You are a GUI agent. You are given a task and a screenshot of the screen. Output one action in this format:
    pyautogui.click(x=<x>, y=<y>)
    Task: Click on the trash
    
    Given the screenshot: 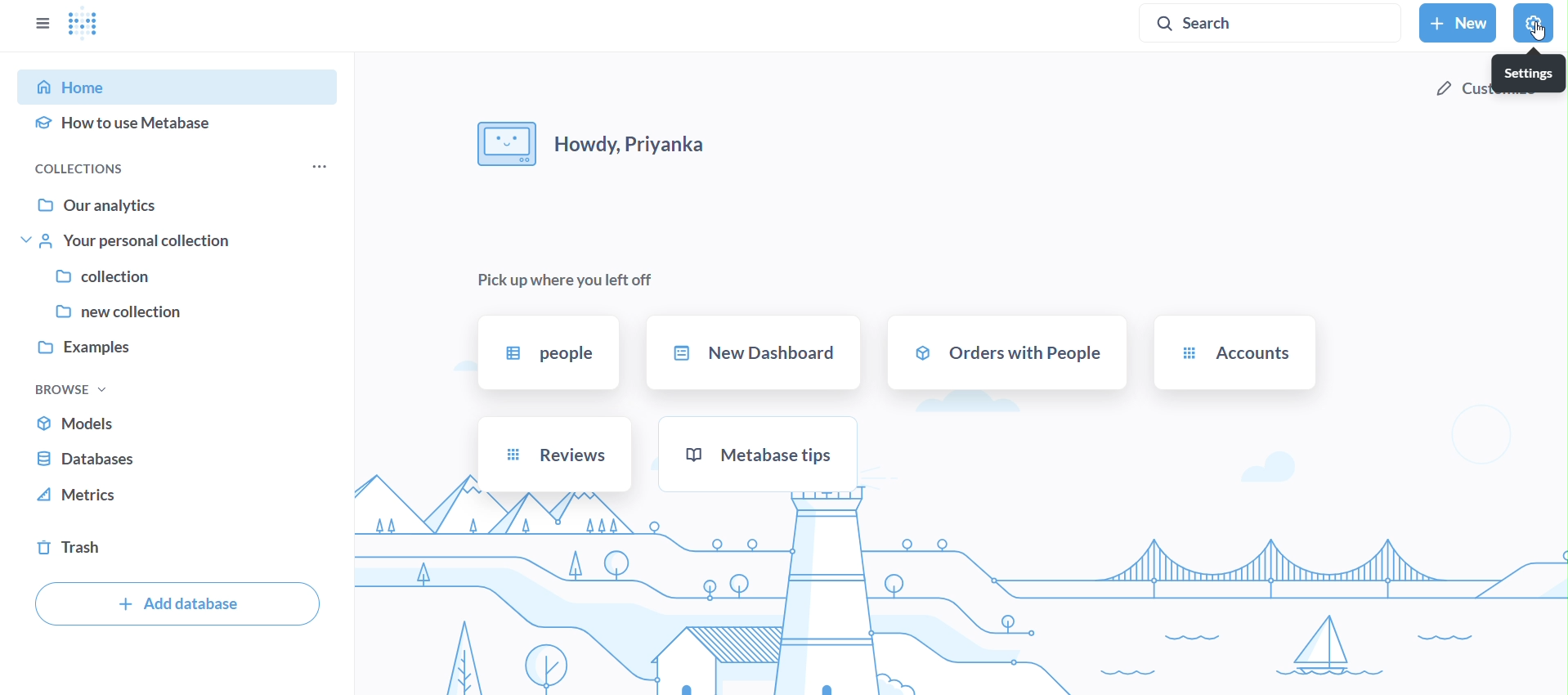 What is the action you would take?
    pyautogui.click(x=179, y=549)
    